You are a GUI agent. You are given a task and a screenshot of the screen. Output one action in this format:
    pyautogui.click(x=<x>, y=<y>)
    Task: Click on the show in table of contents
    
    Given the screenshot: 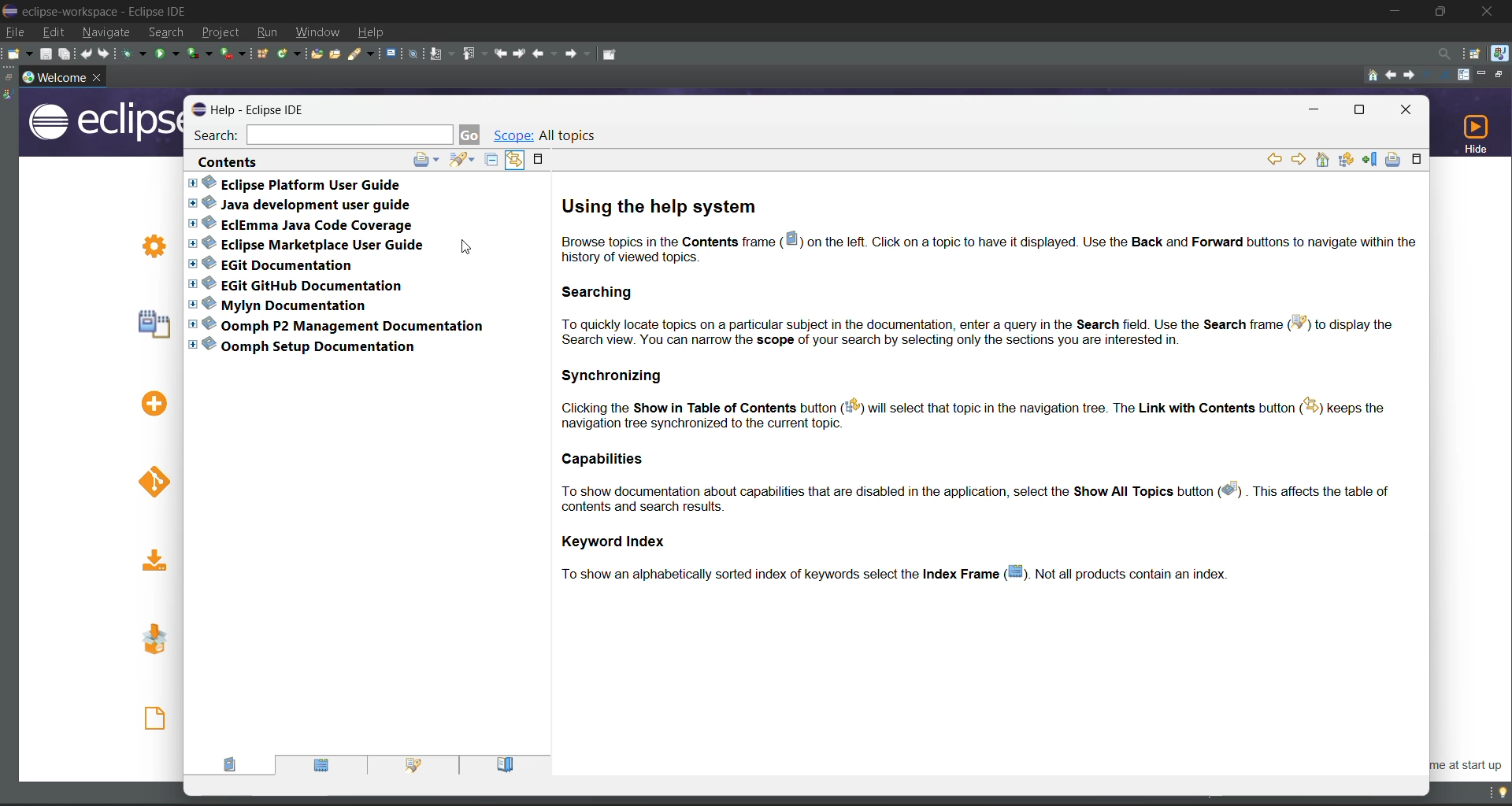 What is the action you would take?
    pyautogui.click(x=1347, y=161)
    